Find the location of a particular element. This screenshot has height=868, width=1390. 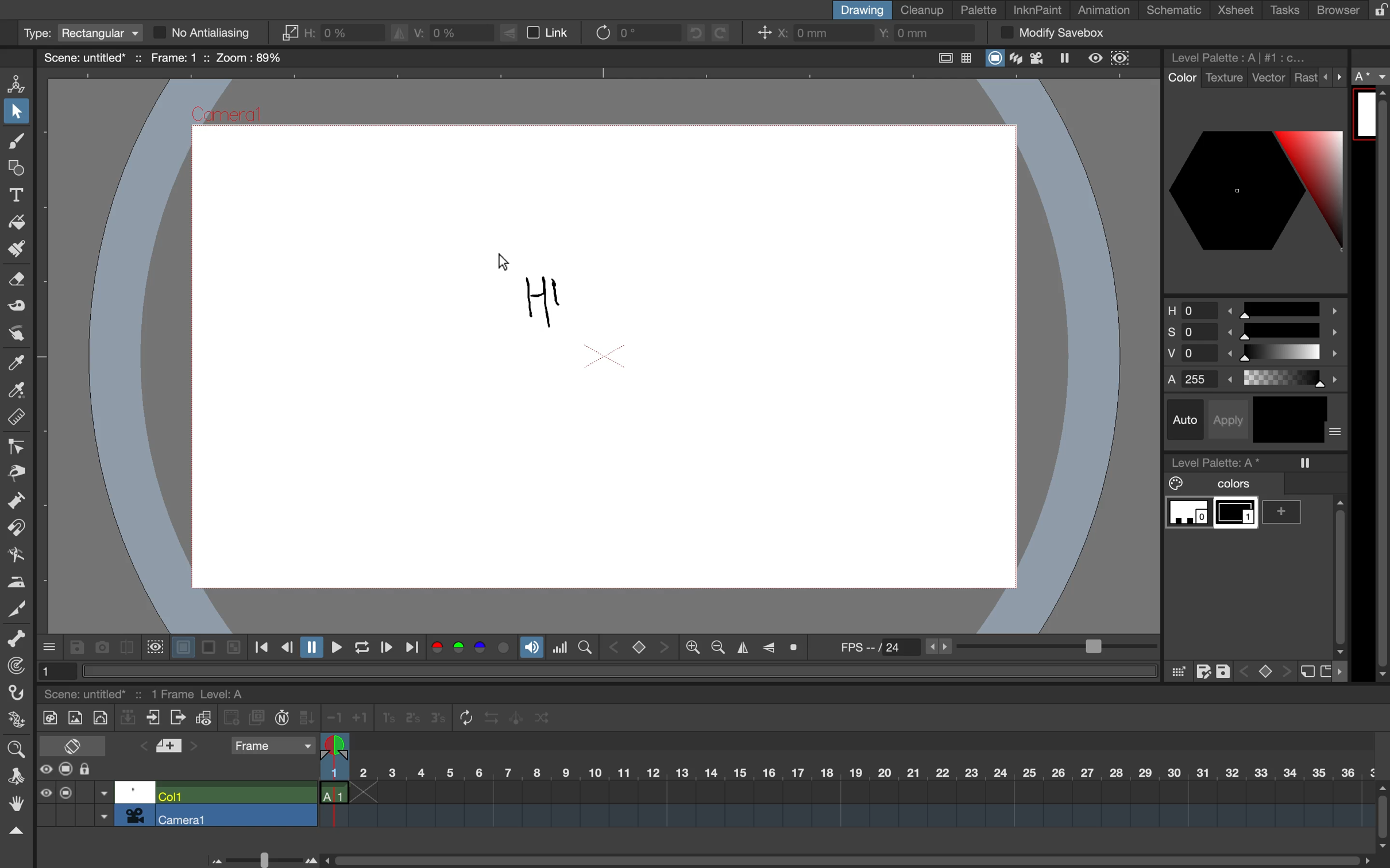

browser is located at coordinates (1330, 9).